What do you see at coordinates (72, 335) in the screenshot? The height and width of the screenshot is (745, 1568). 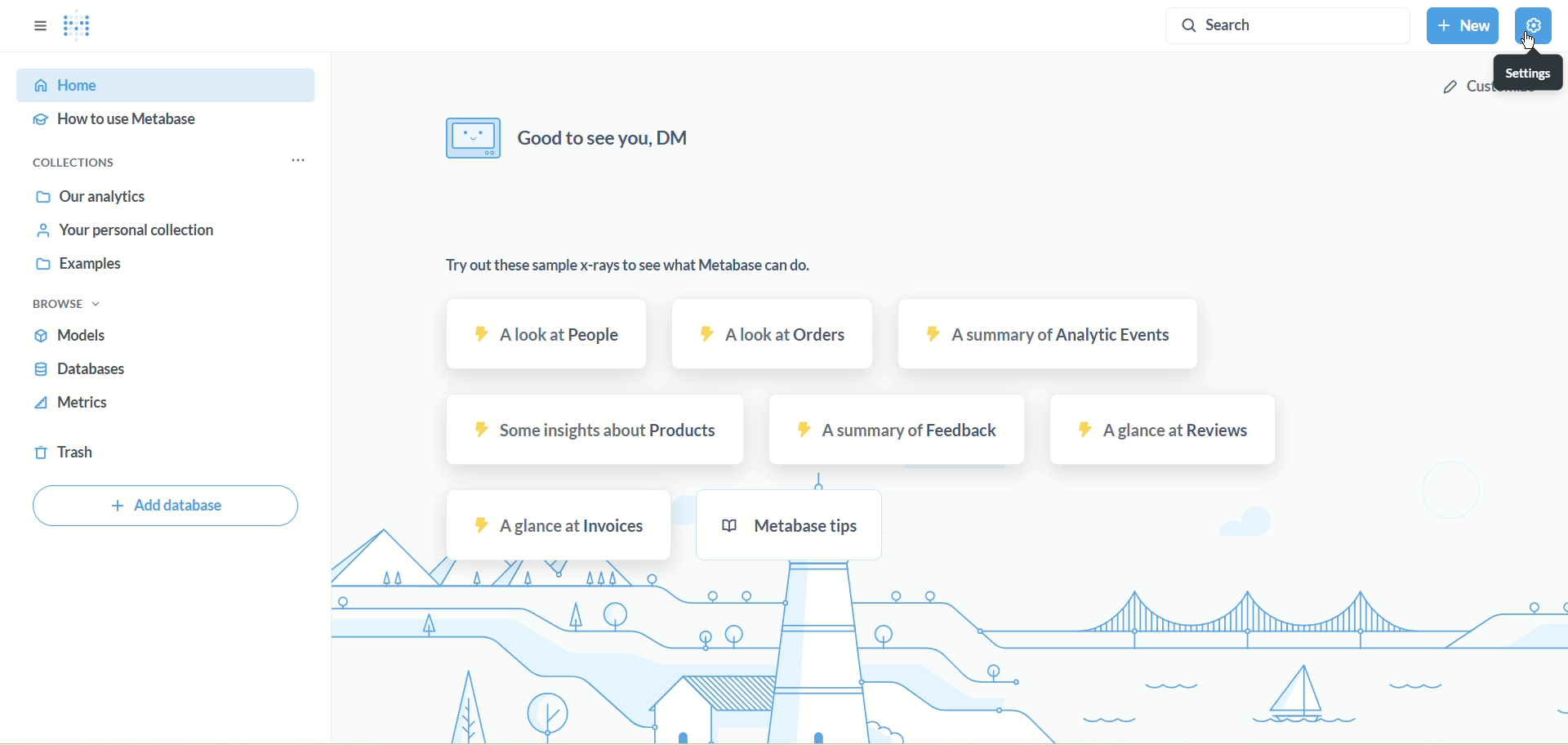 I see `models` at bounding box center [72, 335].